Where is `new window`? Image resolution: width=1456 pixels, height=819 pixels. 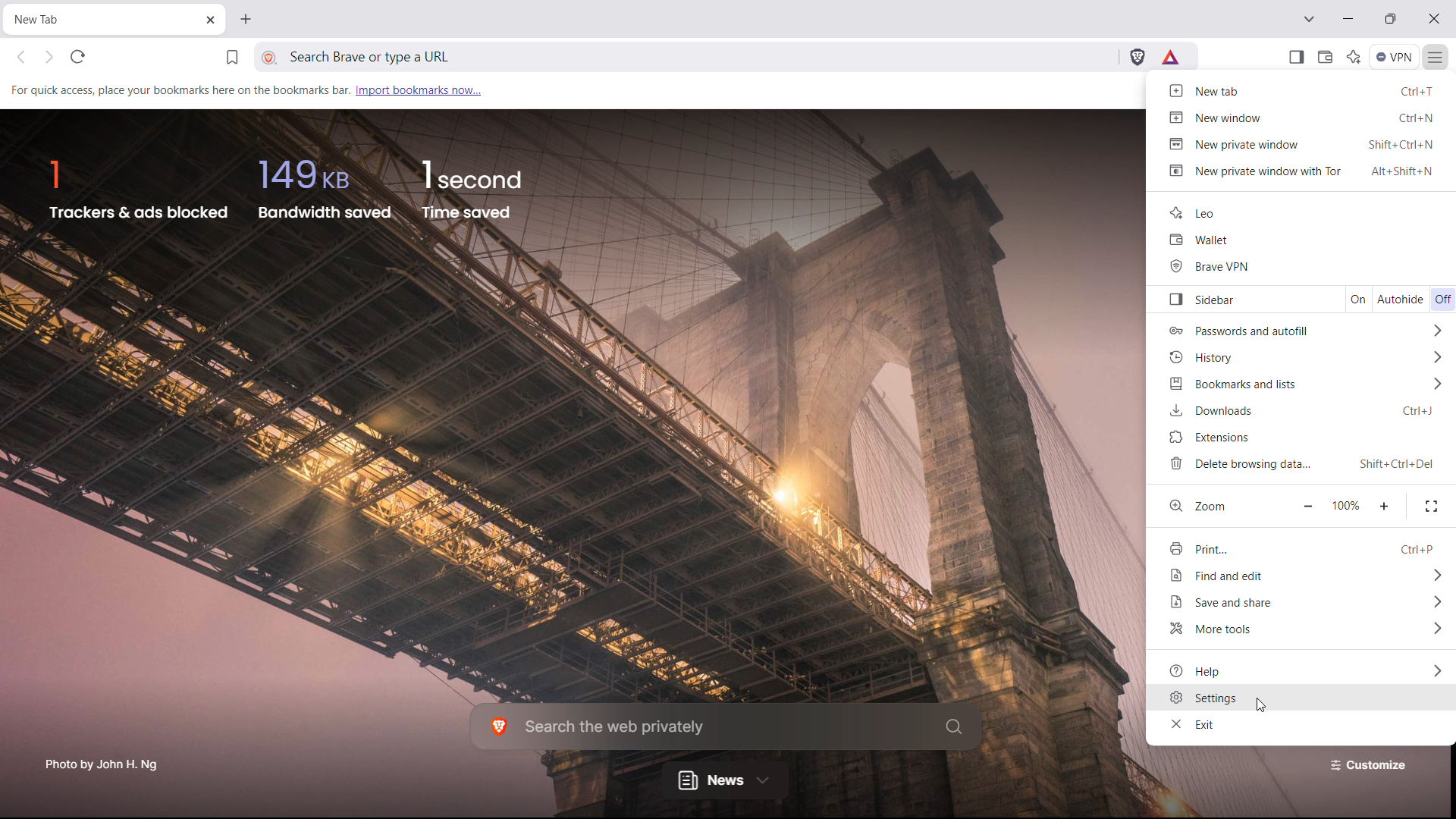
new window is located at coordinates (1301, 119).